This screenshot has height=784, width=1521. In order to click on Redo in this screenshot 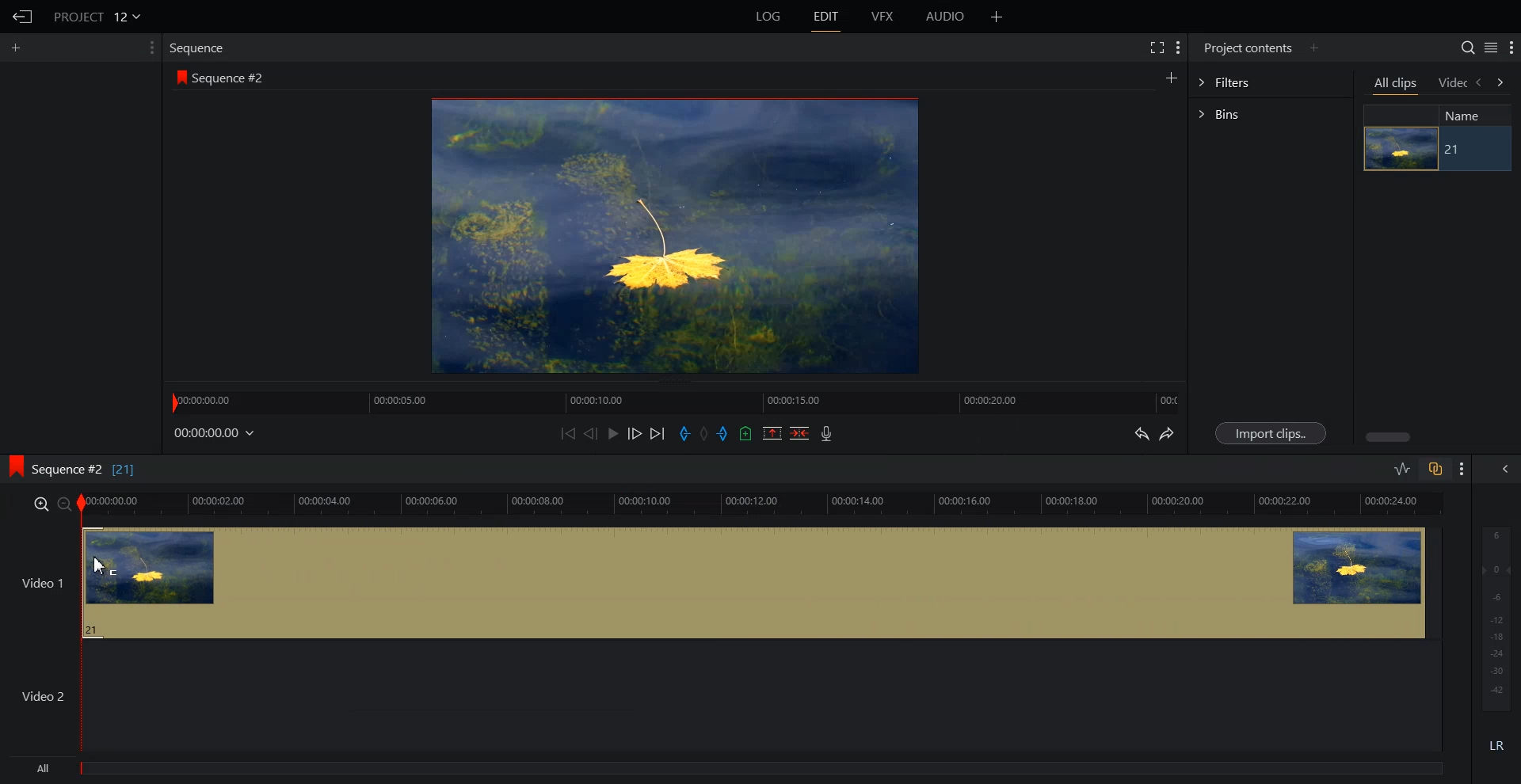, I will do `click(1169, 435)`.